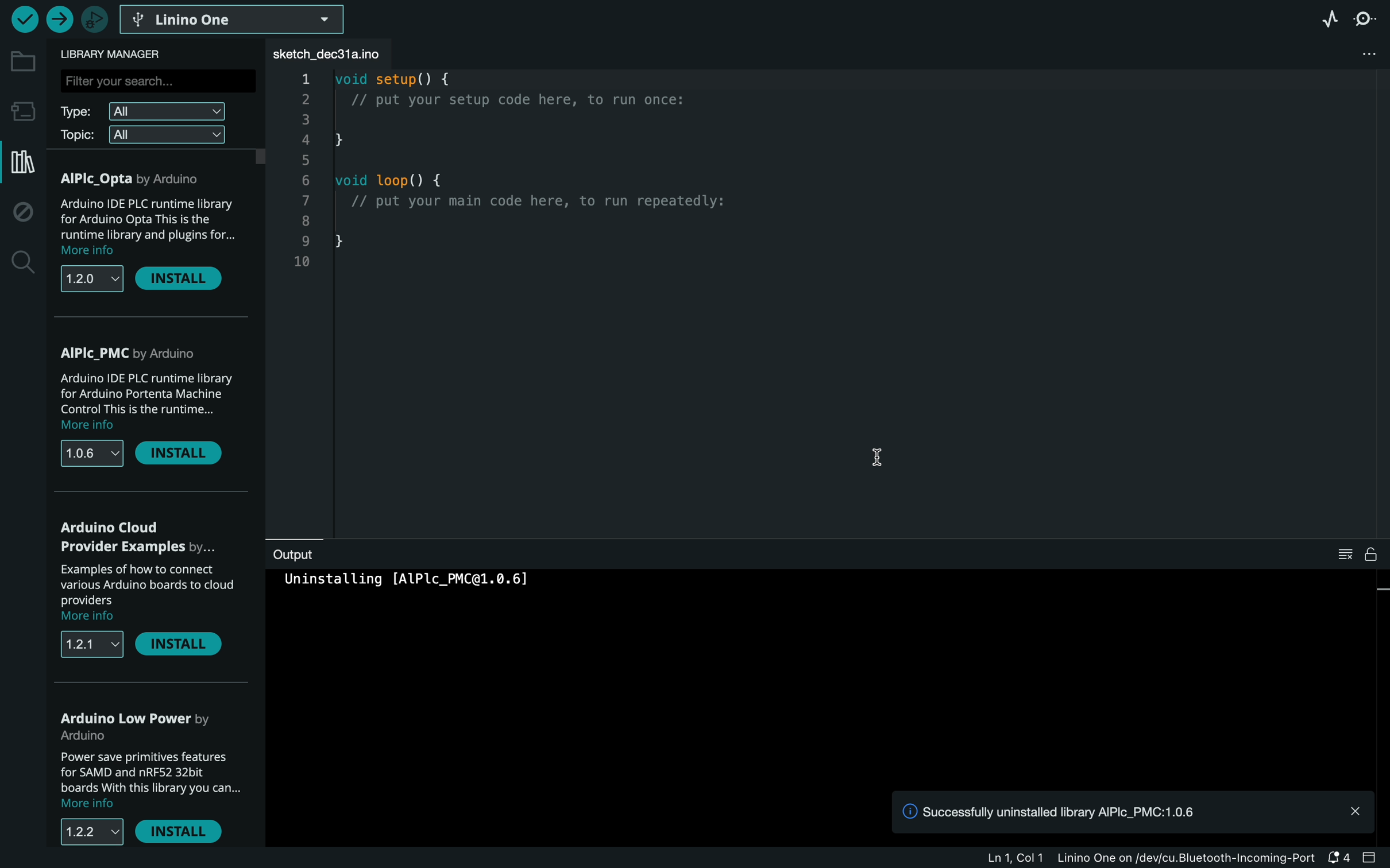 The height and width of the screenshot is (868, 1390). What do you see at coordinates (152, 785) in the screenshot?
I see `description` at bounding box center [152, 785].